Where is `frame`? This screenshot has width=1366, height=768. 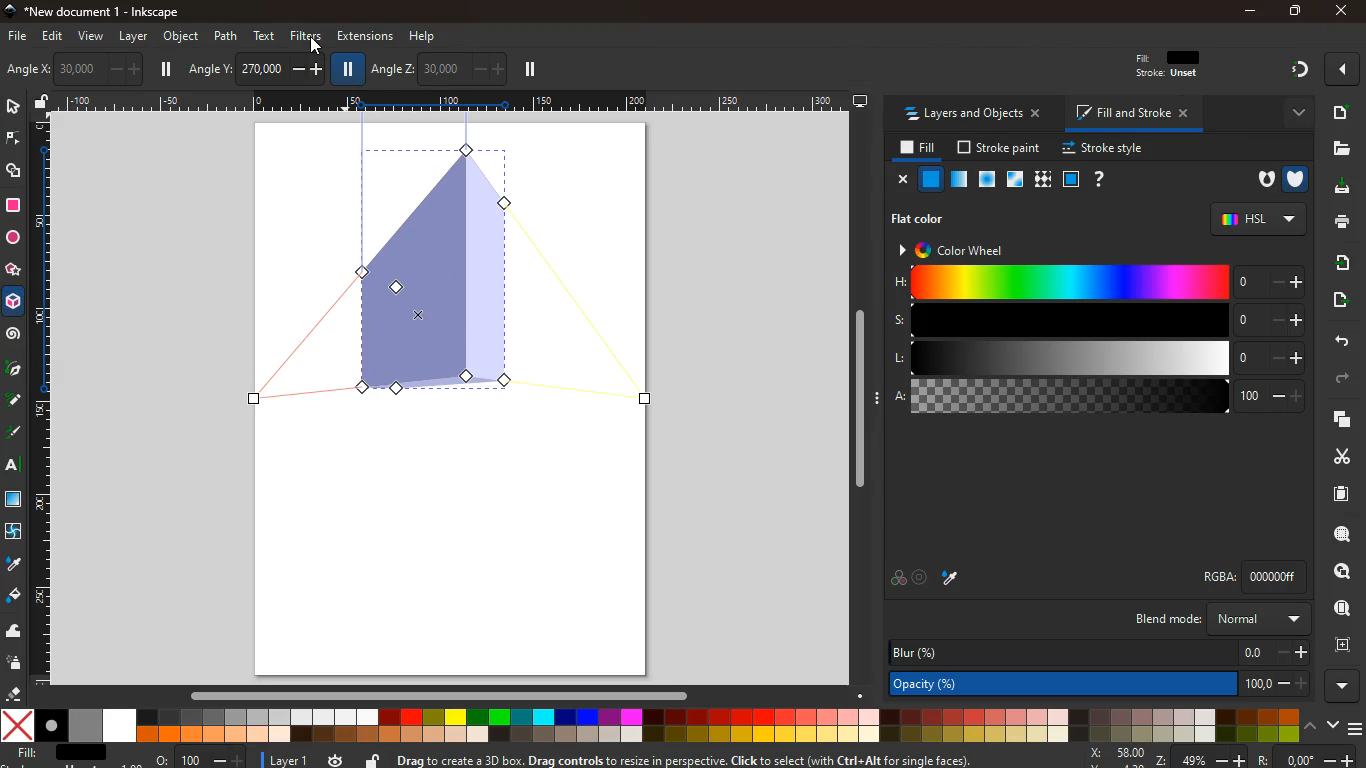
frame is located at coordinates (1071, 179).